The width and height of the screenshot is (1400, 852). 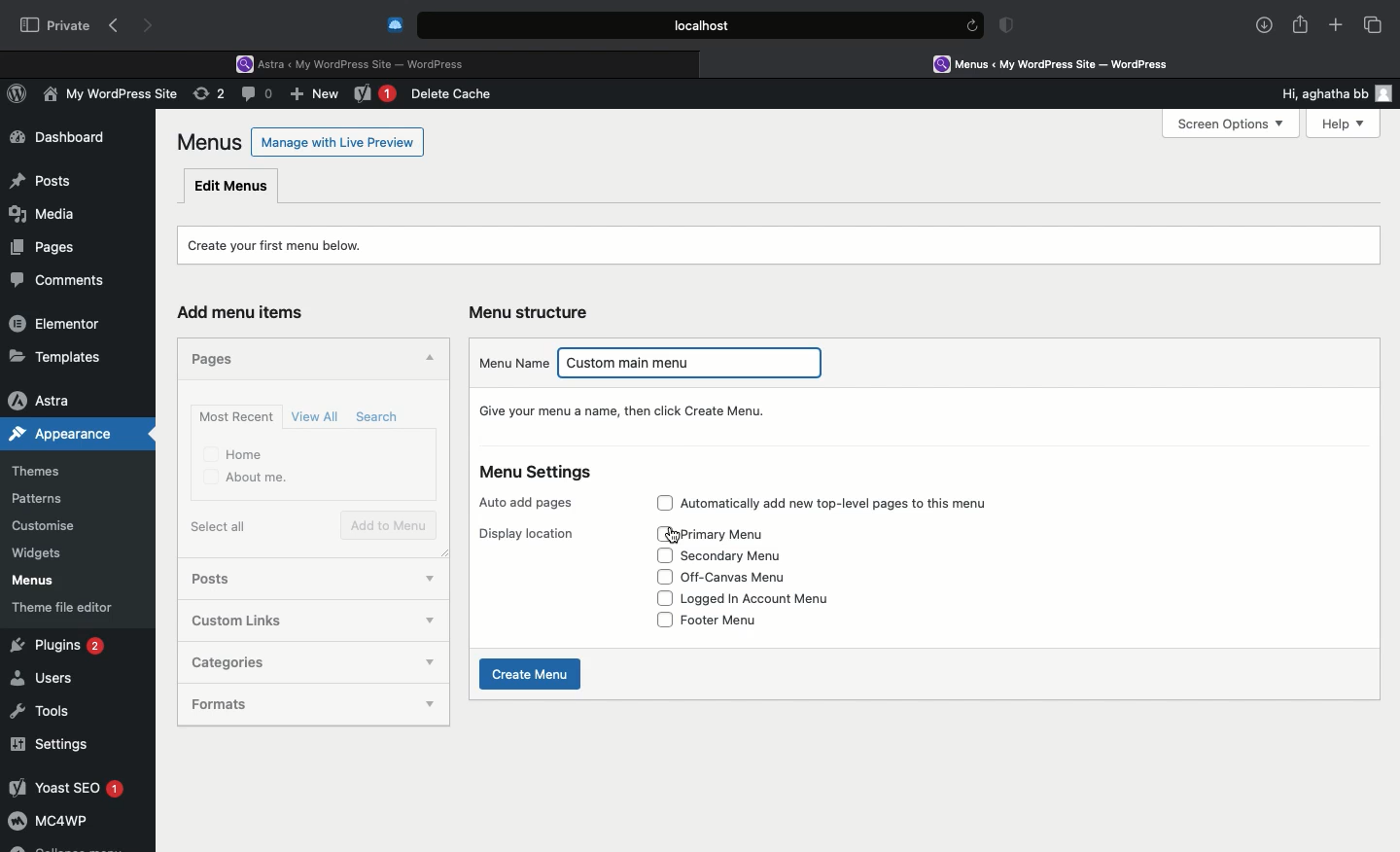 What do you see at coordinates (45, 211) in the screenshot?
I see `Media` at bounding box center [45, 211].